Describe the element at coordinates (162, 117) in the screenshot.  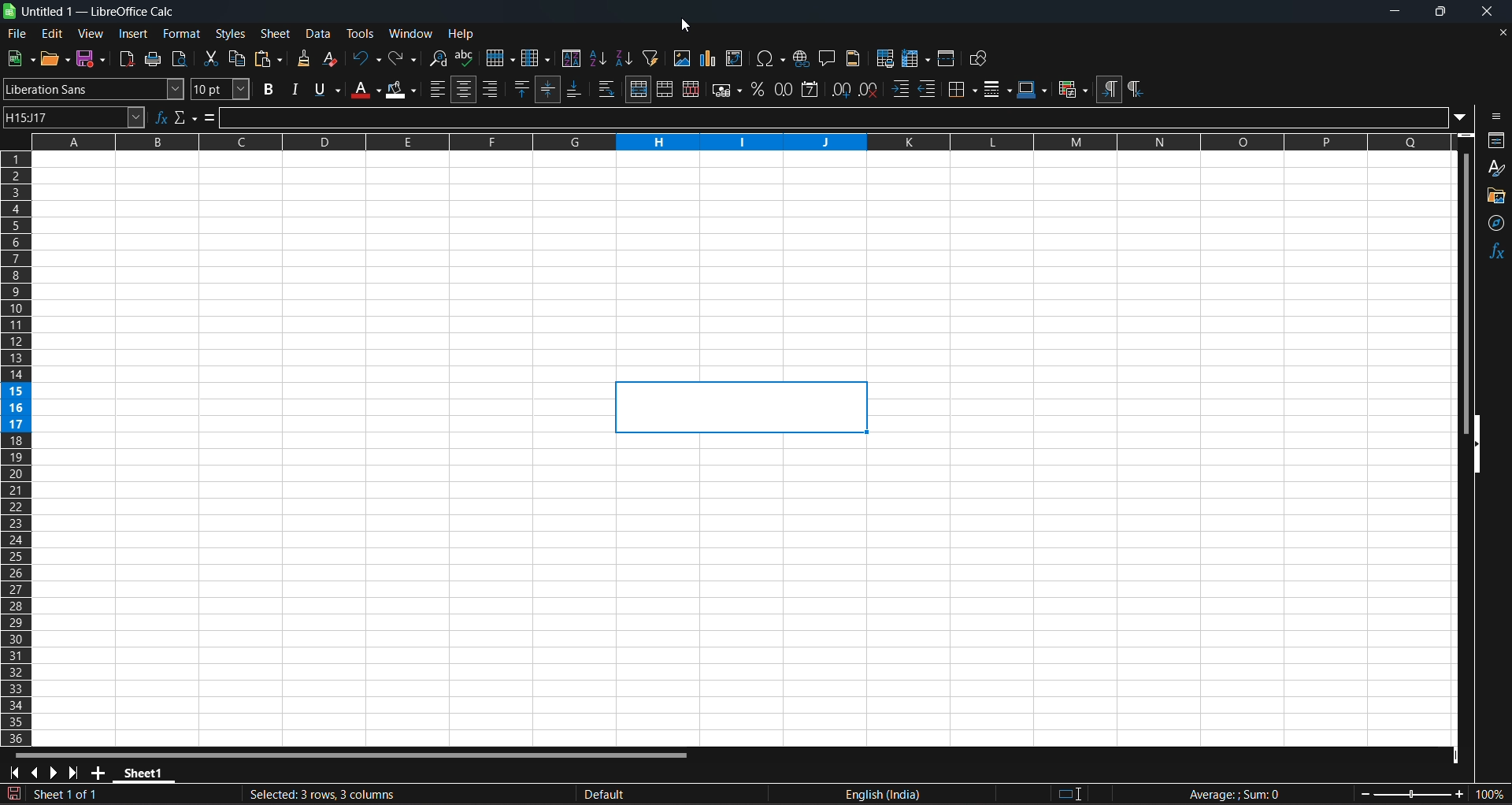
I see `function wizard` at that location.